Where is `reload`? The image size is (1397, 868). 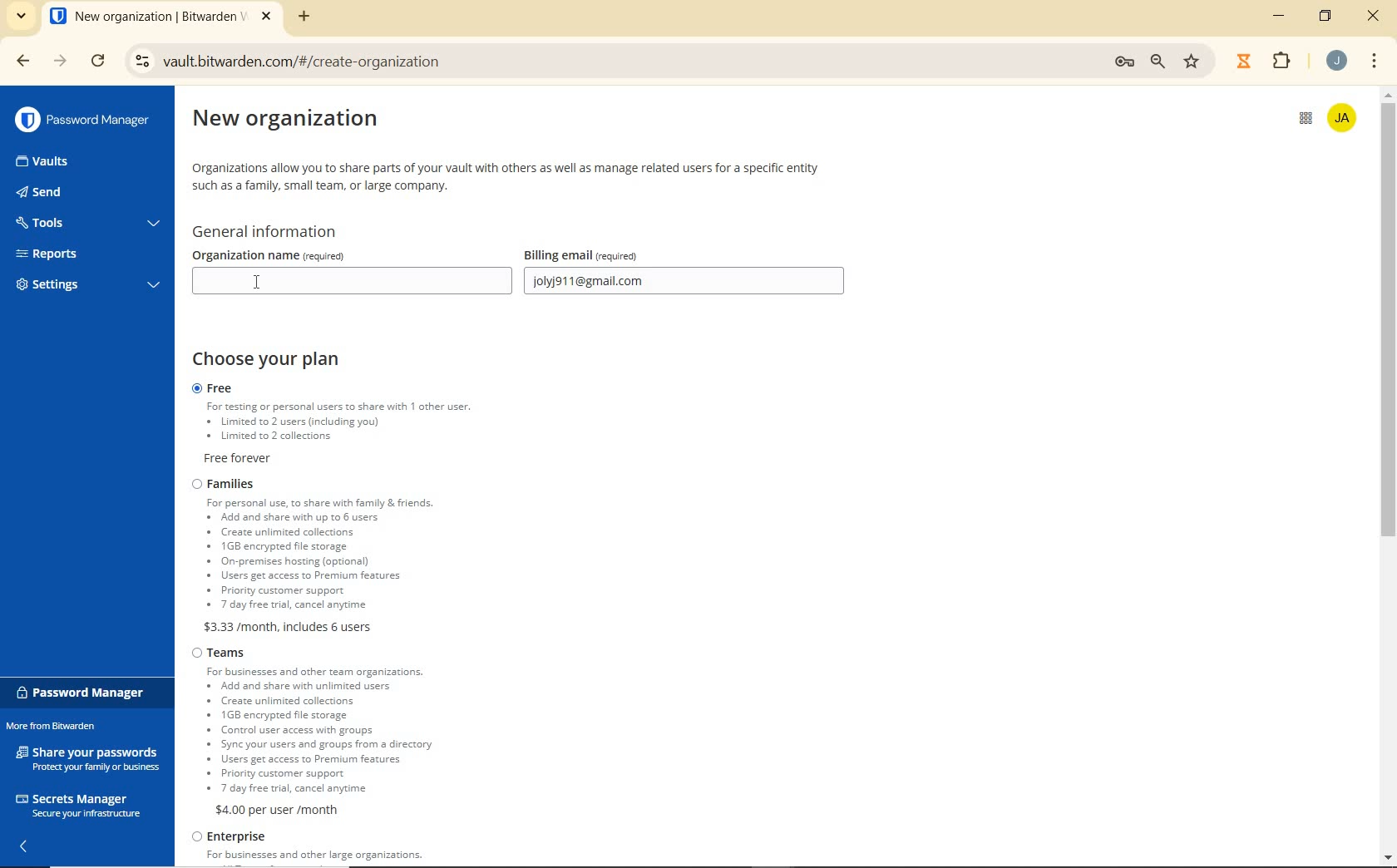
reload is located at coordinates (100, 62).